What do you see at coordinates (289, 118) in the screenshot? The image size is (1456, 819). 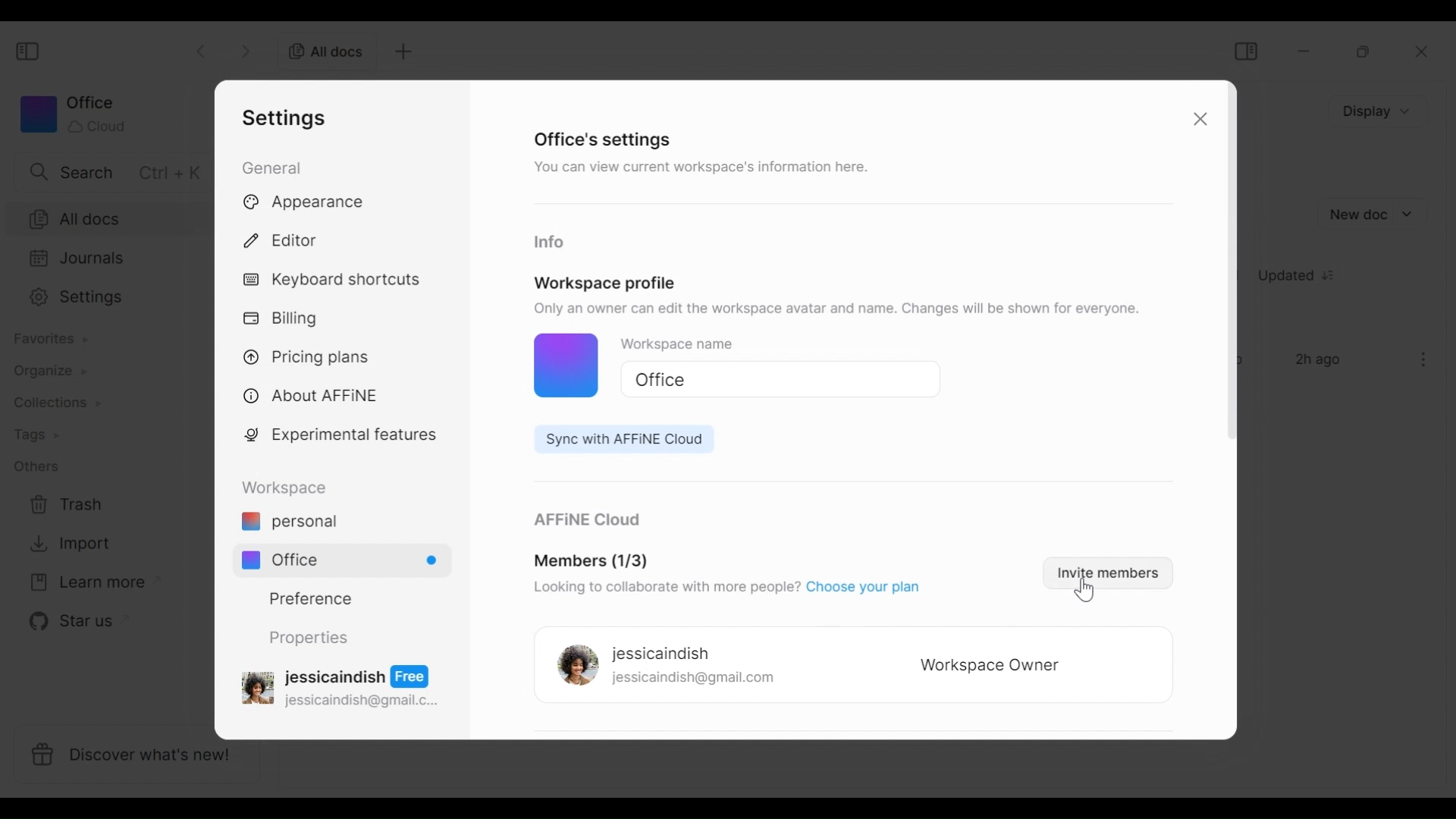 I see `Settings` at bounding box center [289, 118].